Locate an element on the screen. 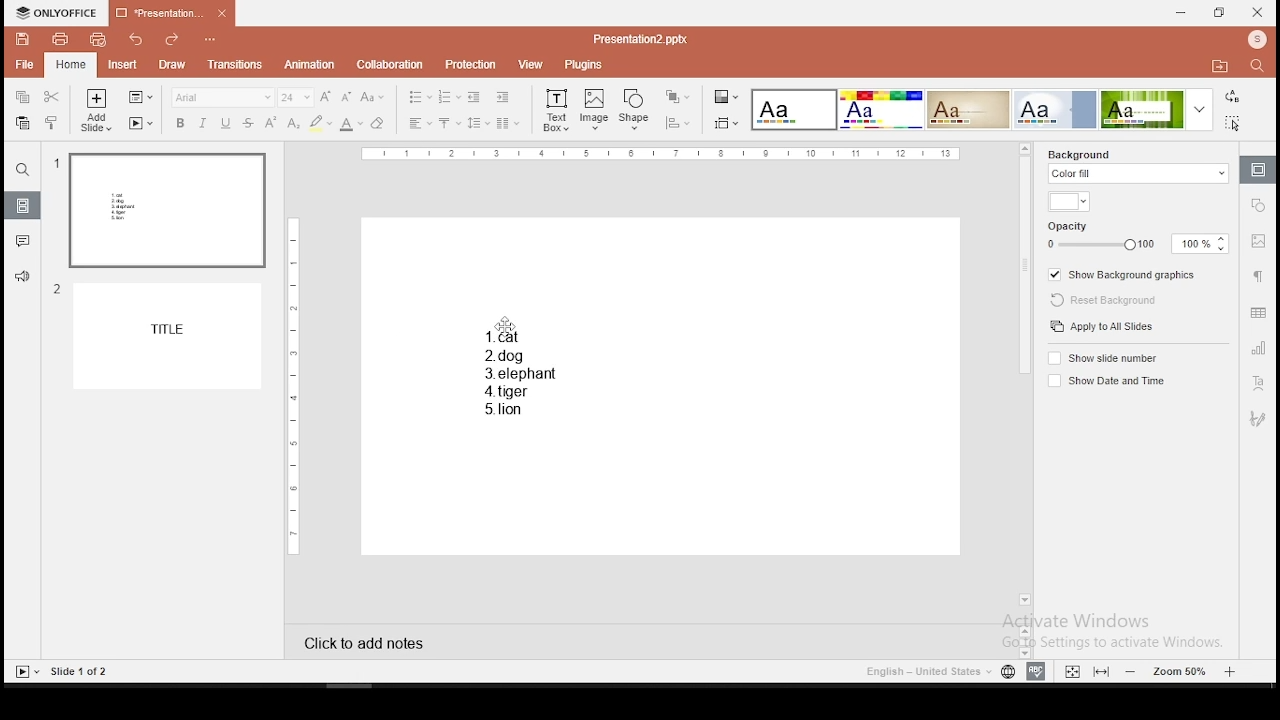  increase font size is located at coordinates (324, 96).